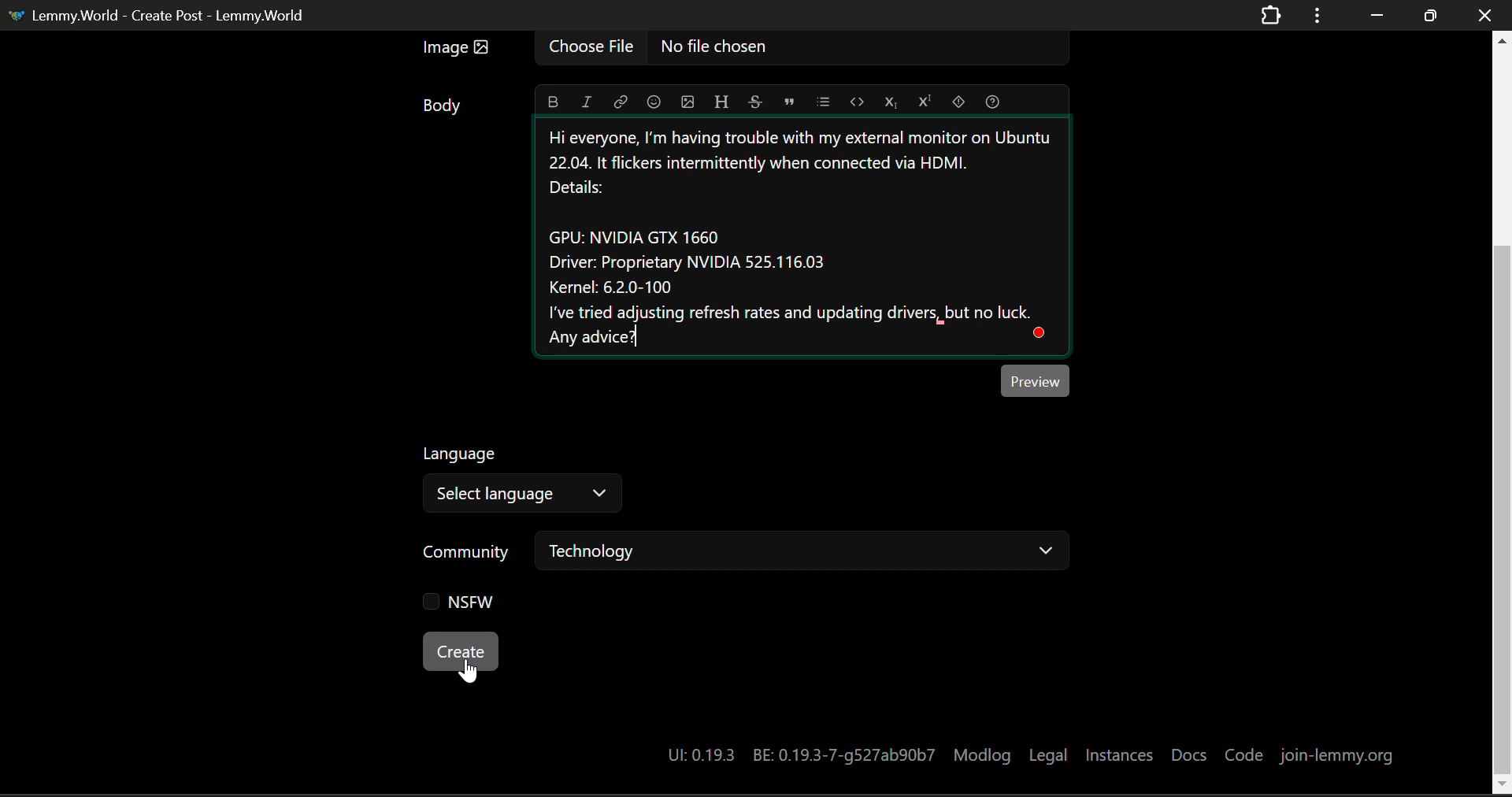  Describe the element at coordinates (1319, 16) in the screenshot. I see `Window Options` at that location.